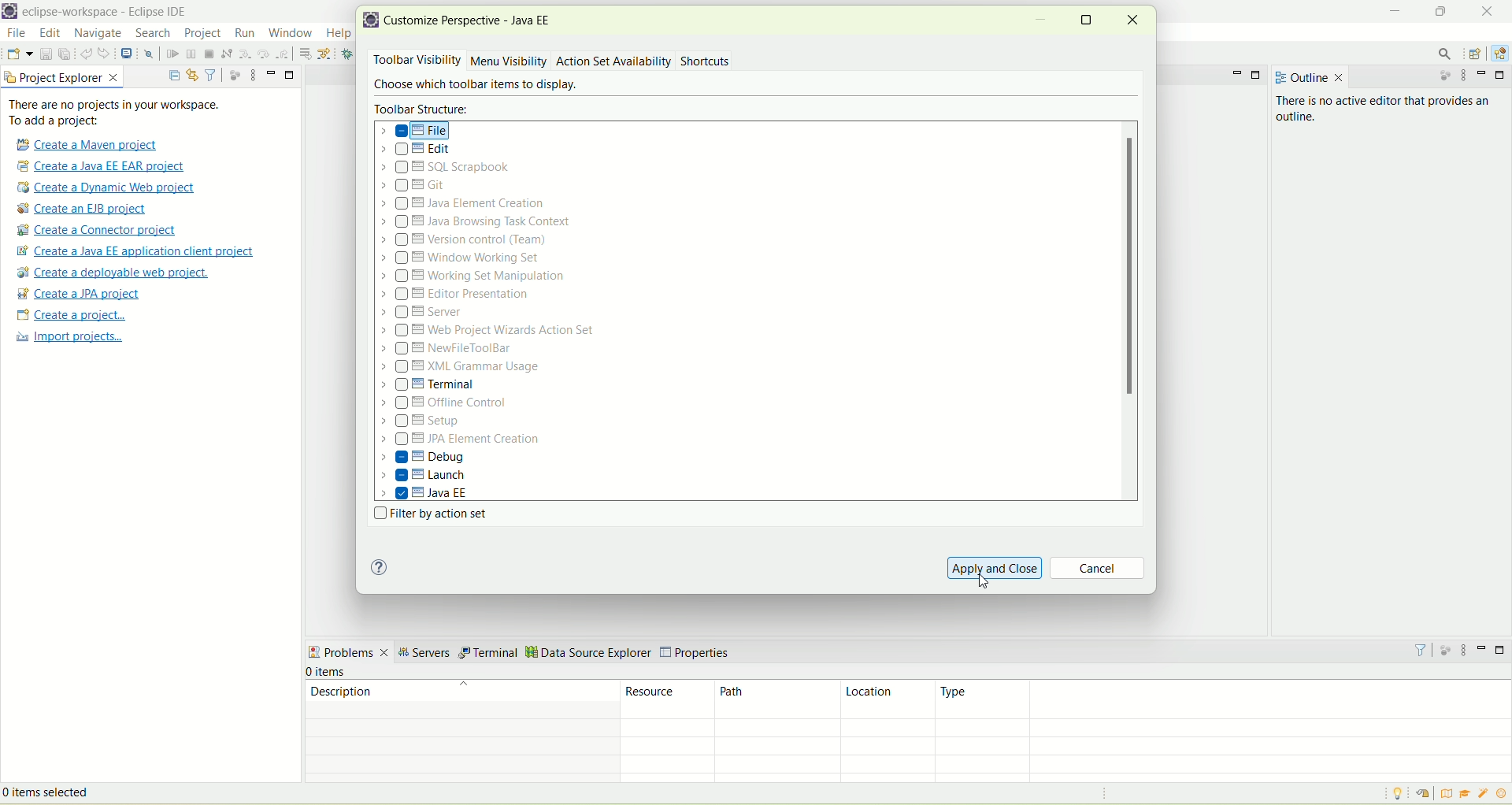 This screenshot has height=805, width=1512. I want to click on deselected, so click(404, 385).